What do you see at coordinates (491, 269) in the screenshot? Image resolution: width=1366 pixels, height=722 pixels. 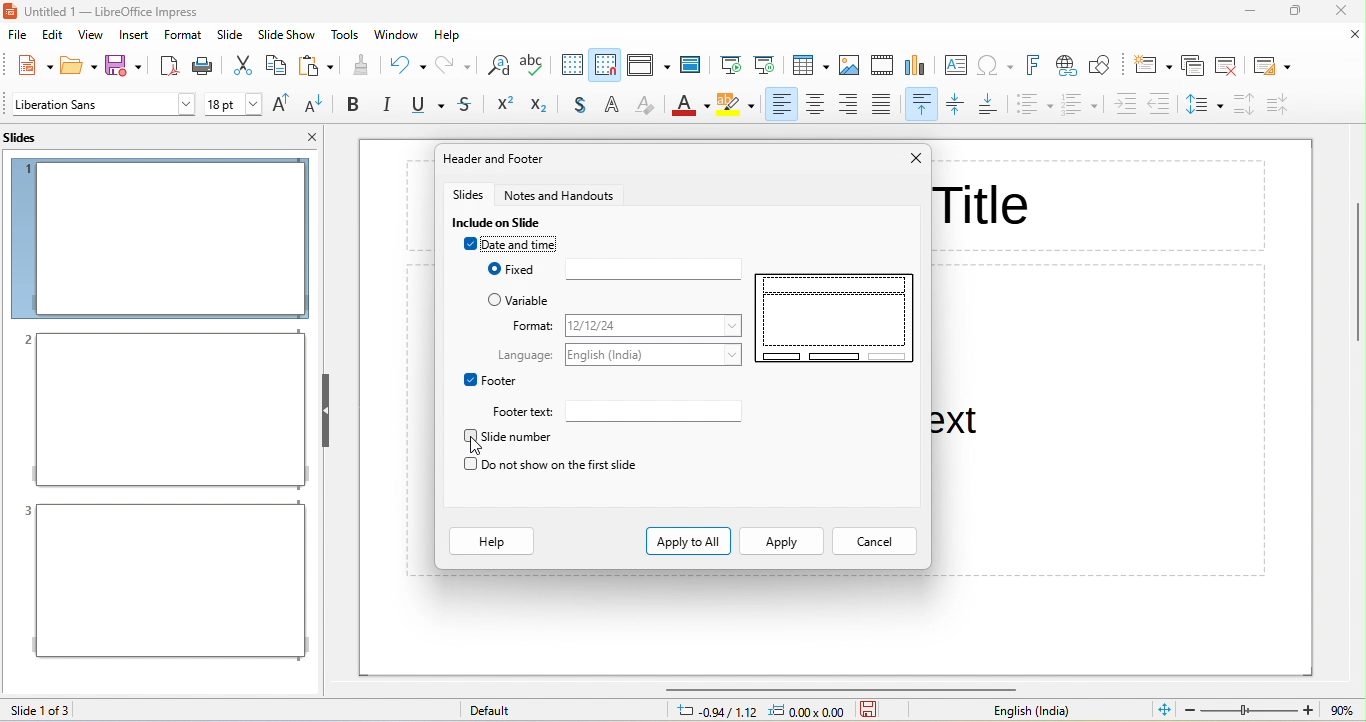 I see `Checkbox` at bounding box center [491, 269].